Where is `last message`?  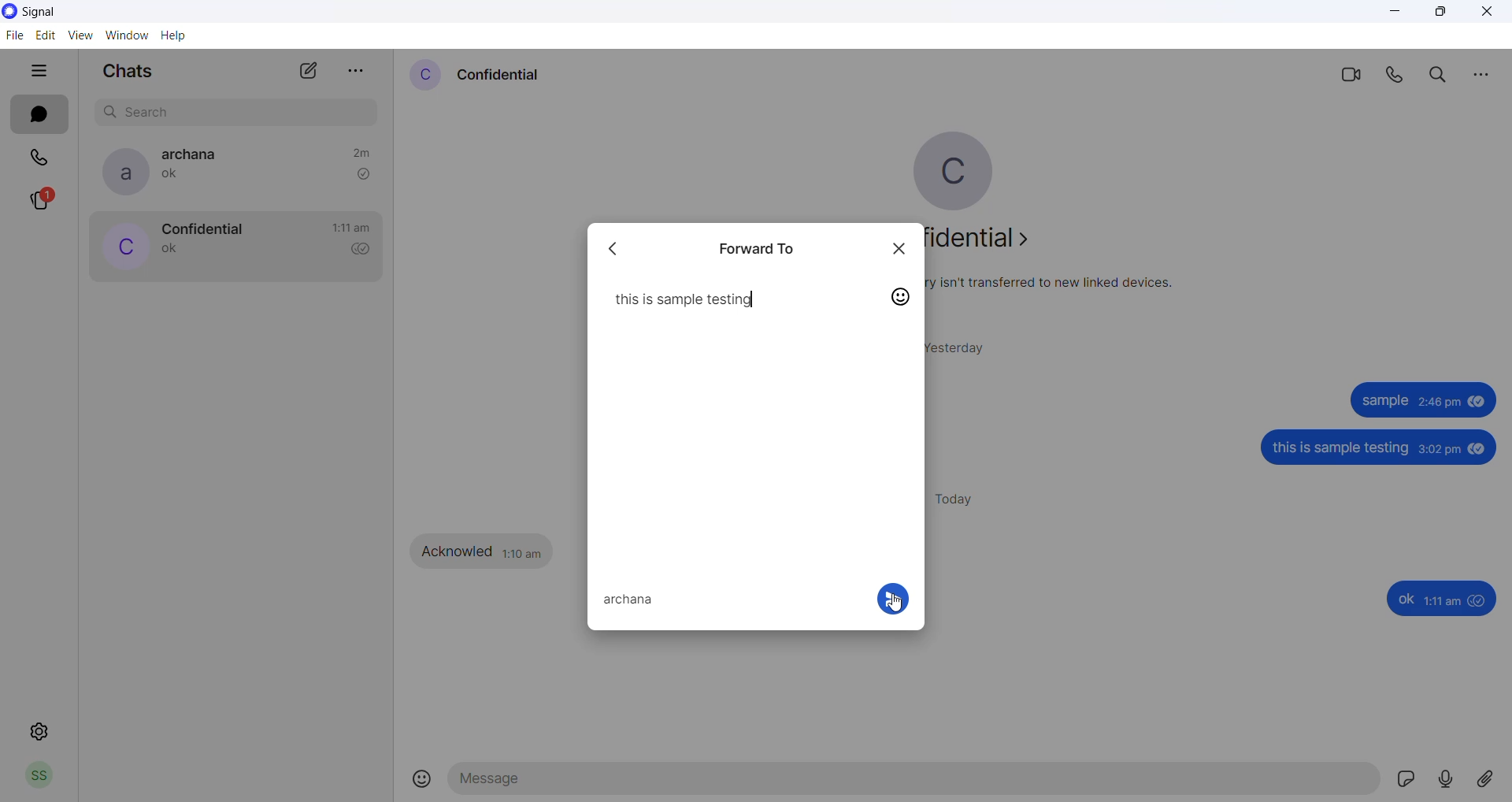 last message is located at coordinates (174, 177).